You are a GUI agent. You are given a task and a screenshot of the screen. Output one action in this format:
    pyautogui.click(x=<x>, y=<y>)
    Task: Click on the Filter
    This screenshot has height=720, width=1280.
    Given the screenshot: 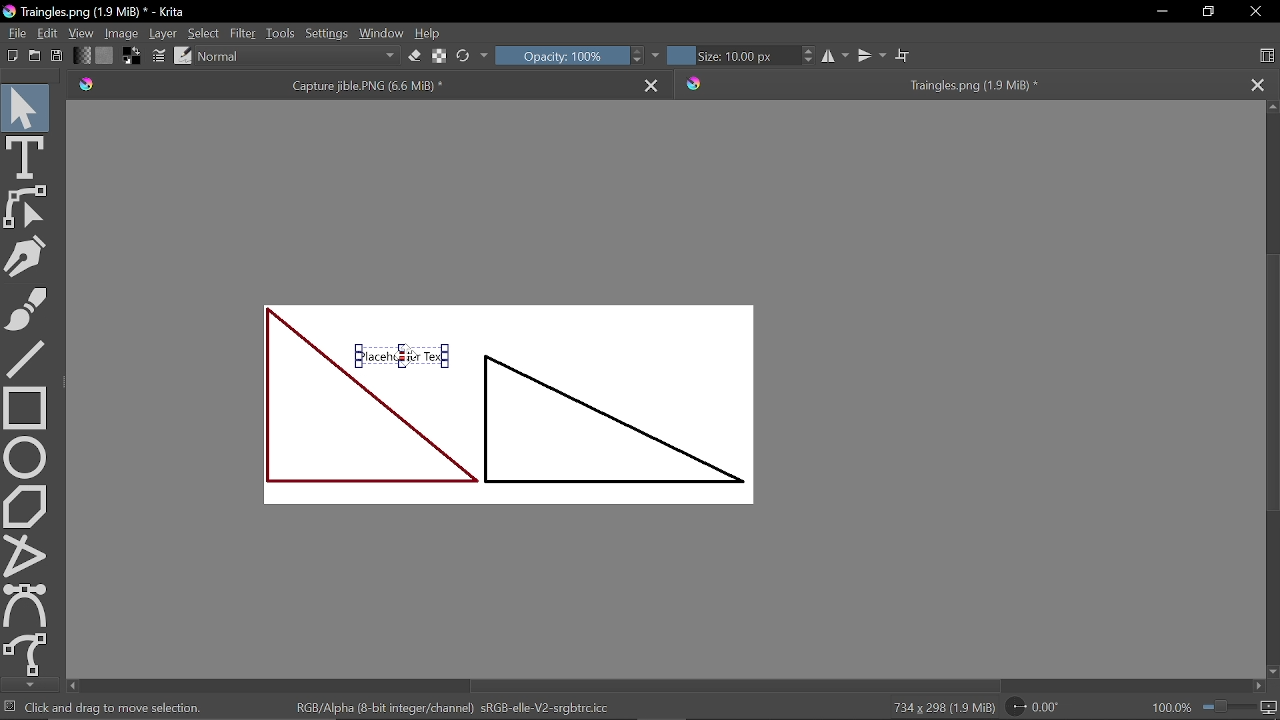 What is the action you would take?
    pyautogui.click(x=242, y=33)
    